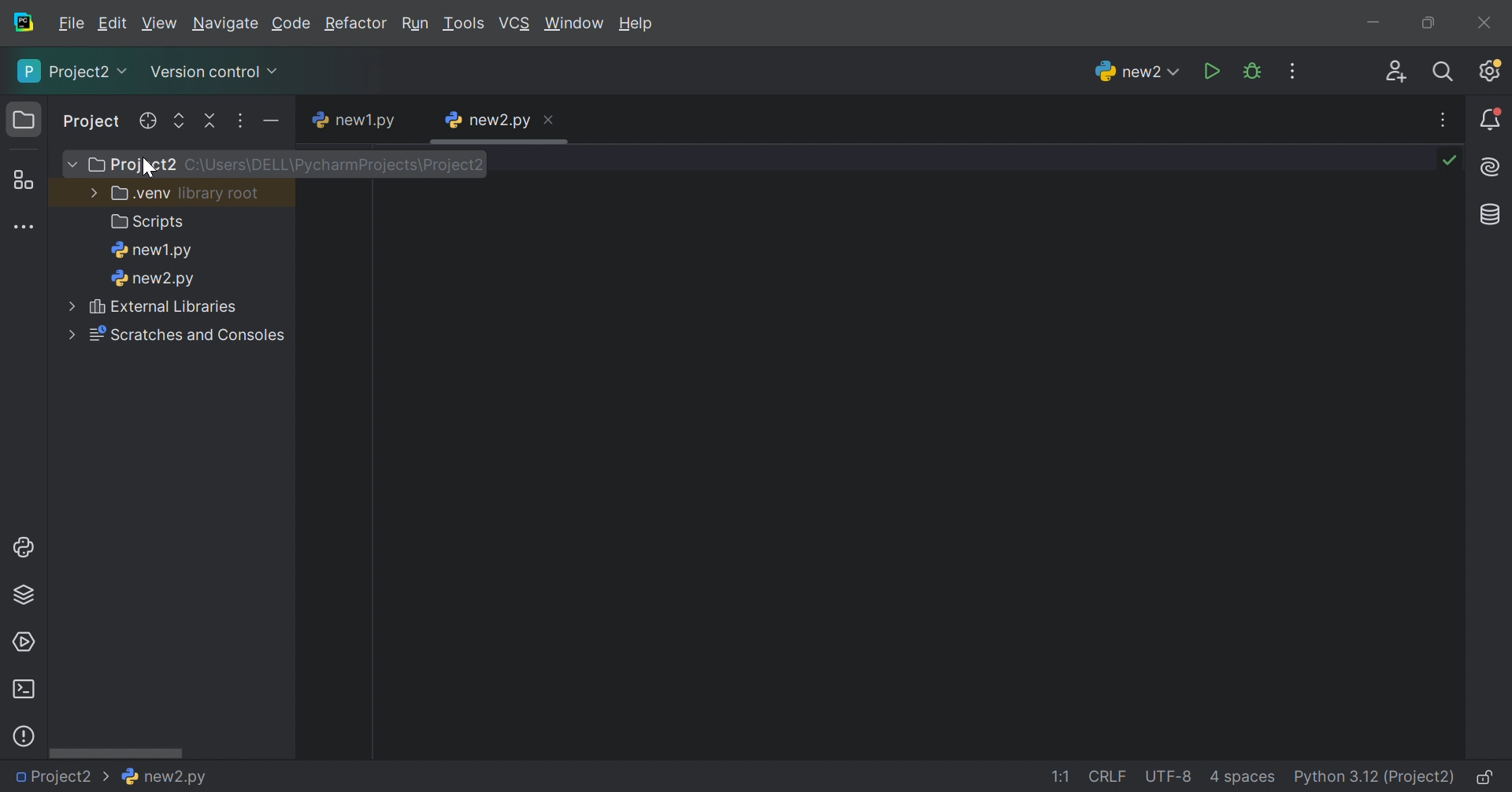 Image resolution: width=1512 pixels, height=792 pixels. Describe the element at coordinates (164, 775) in the screenshot. I see `new2.py` at that location.